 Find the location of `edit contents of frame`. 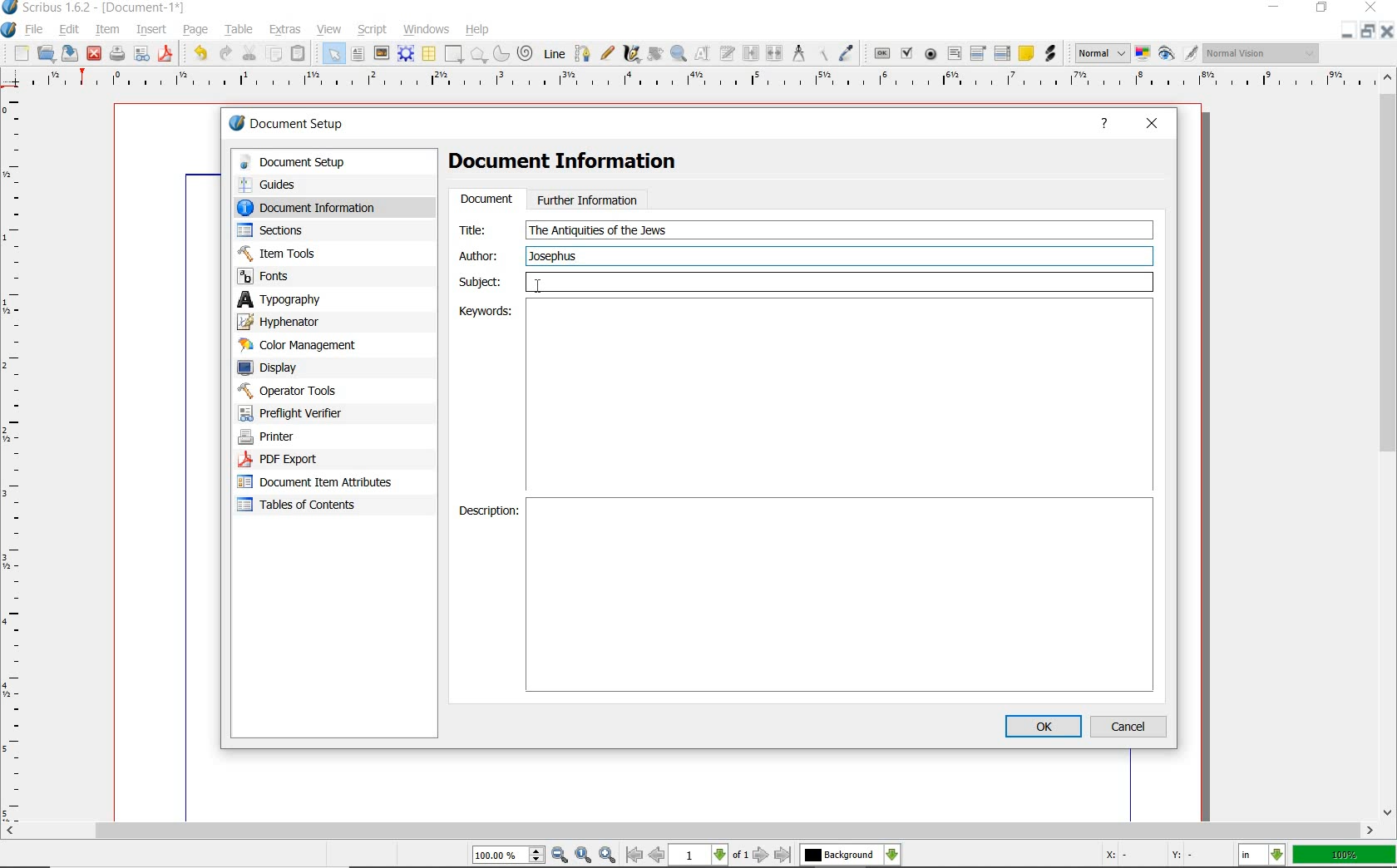

edit contents of frame is located at coordinates (704, 55).